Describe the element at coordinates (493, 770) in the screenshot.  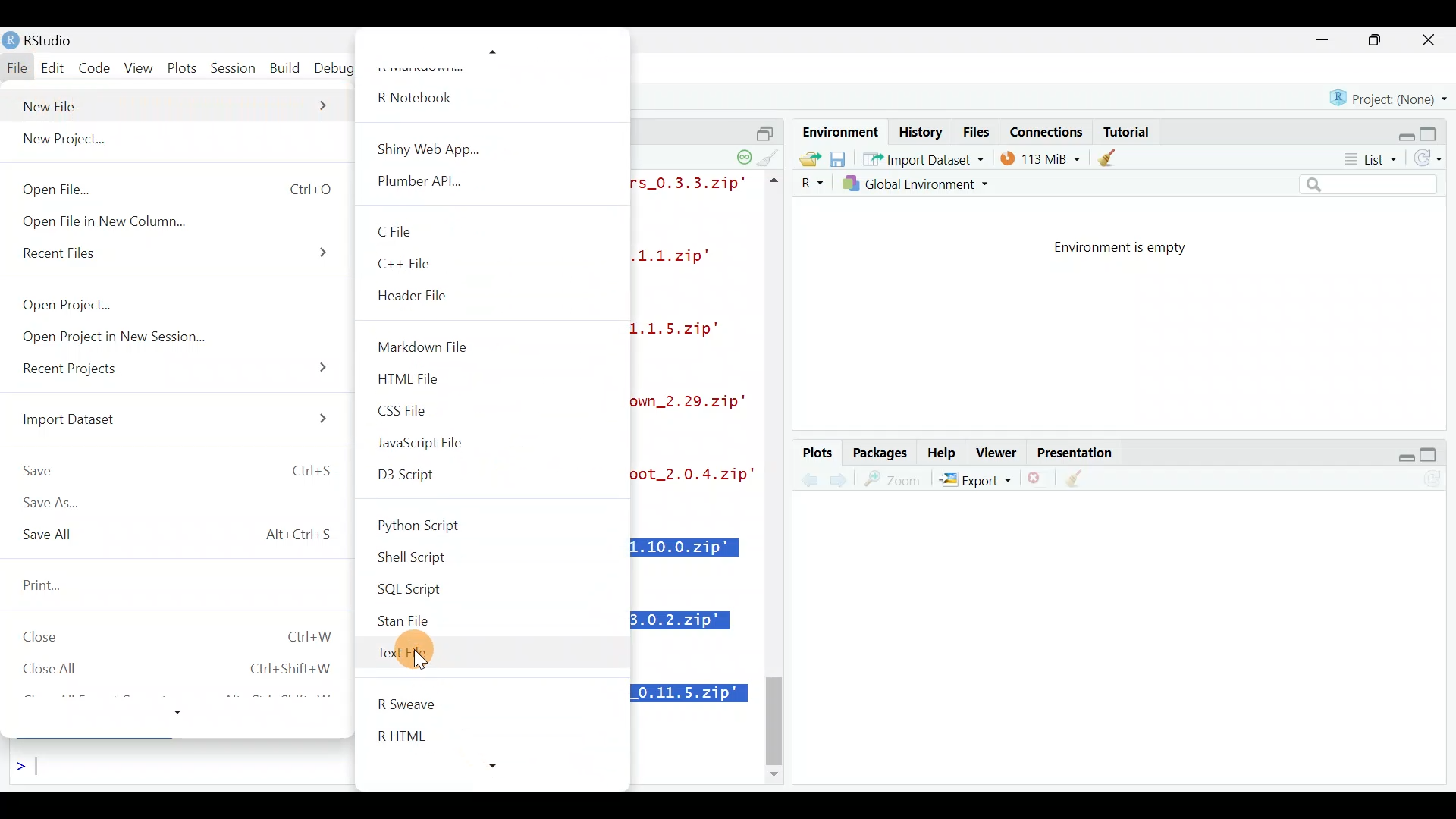
I see `more` at that location.